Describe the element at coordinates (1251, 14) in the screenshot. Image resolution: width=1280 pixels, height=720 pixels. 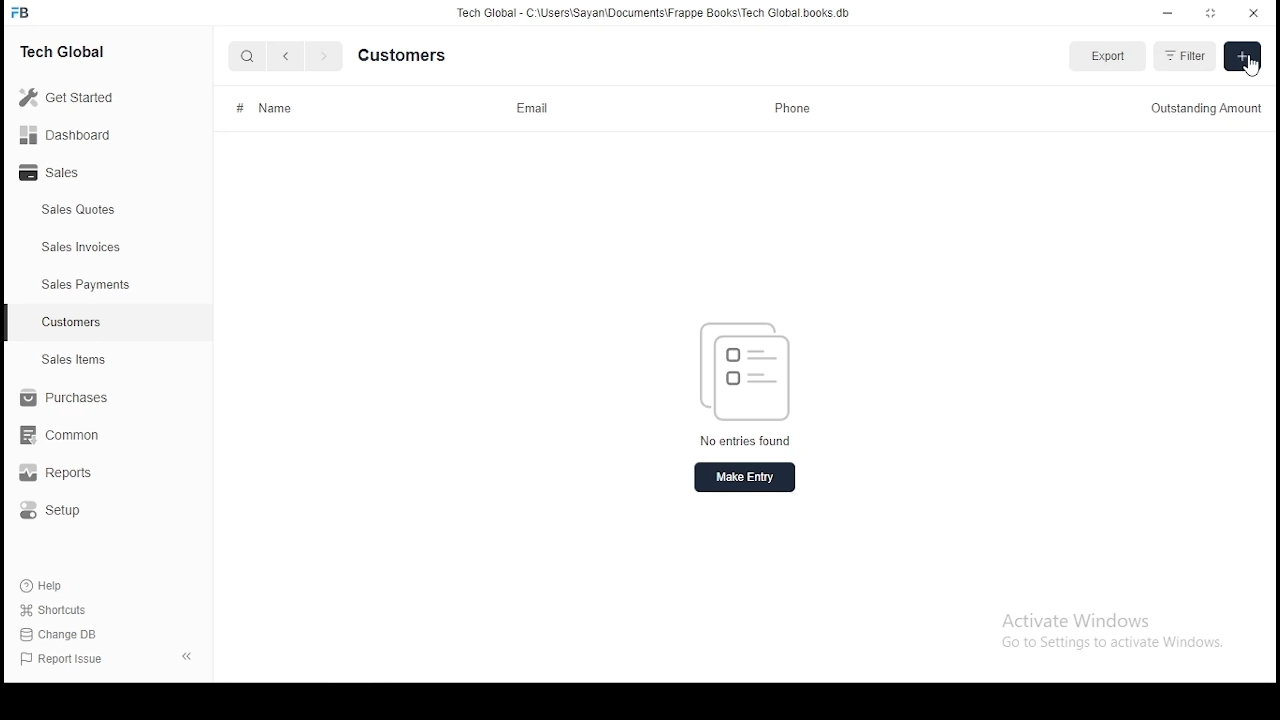
I see `close window` at that location.